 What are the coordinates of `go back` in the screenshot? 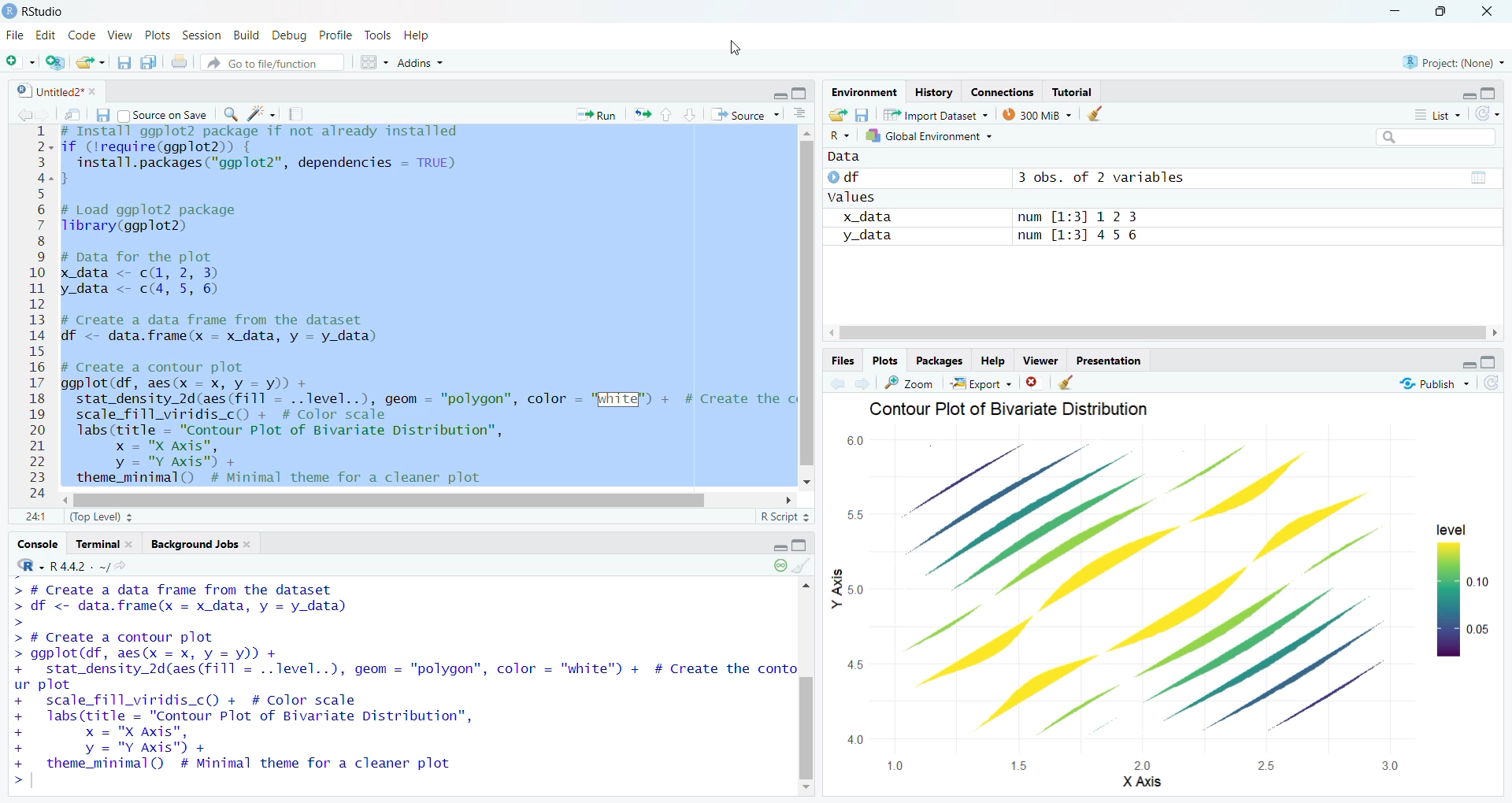 It's located at (832, 383).